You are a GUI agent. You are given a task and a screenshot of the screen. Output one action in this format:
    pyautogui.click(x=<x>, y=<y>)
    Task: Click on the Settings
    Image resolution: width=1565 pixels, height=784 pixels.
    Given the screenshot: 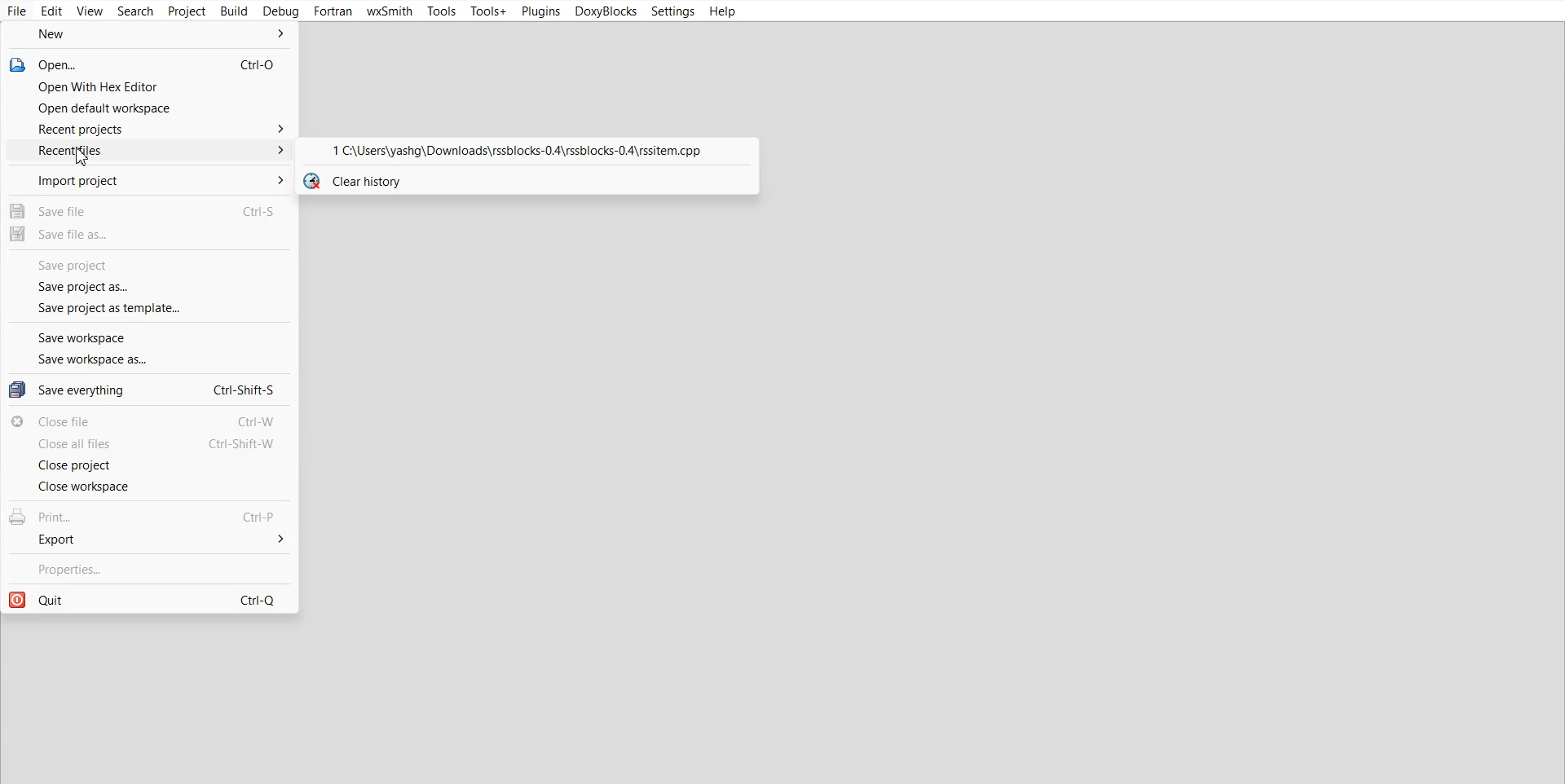 What is the action you would take?
    pyautogui.click(x=672, y=11)
    